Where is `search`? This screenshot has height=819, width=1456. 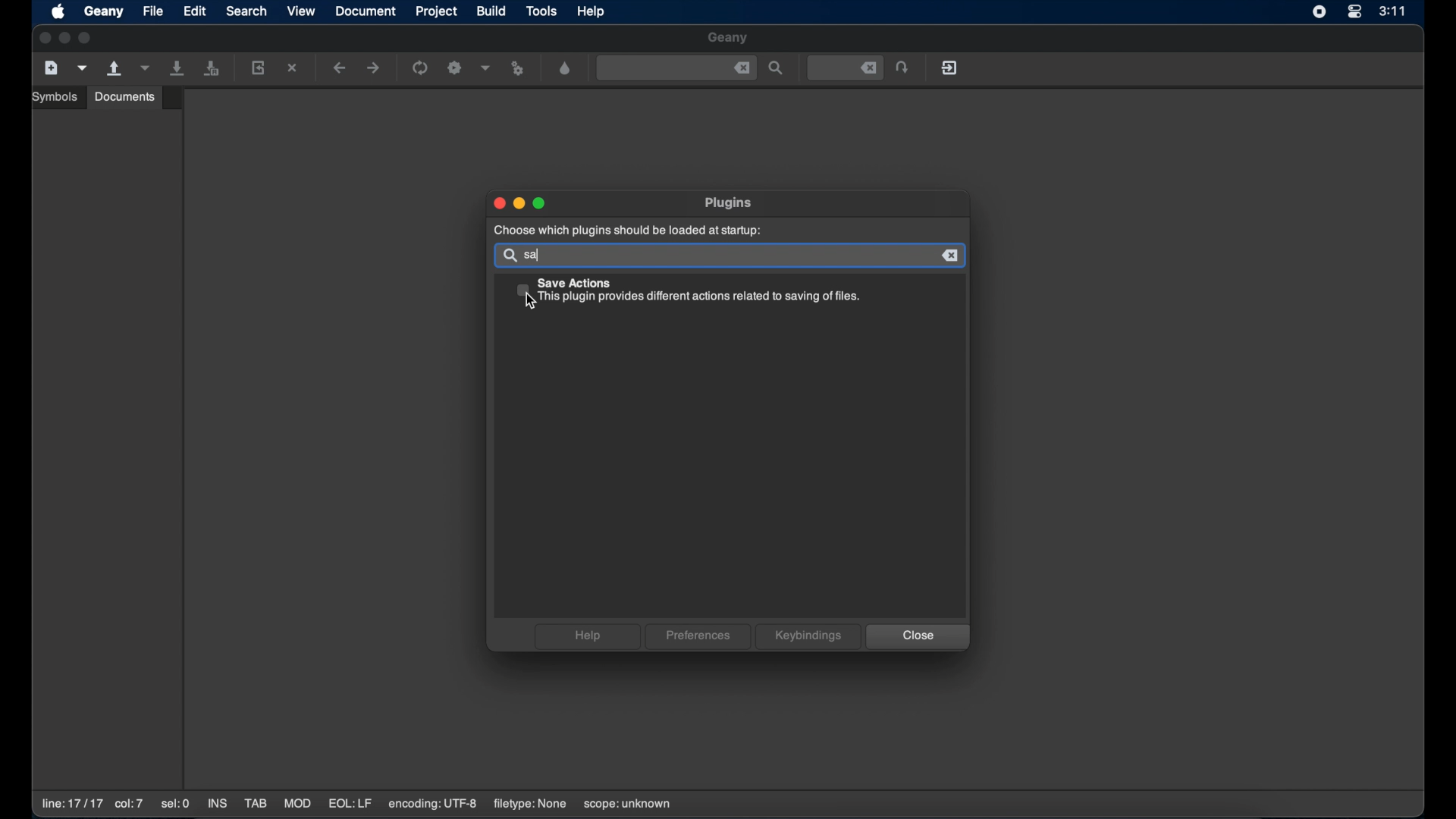 search is located at coordinates (246, 11).